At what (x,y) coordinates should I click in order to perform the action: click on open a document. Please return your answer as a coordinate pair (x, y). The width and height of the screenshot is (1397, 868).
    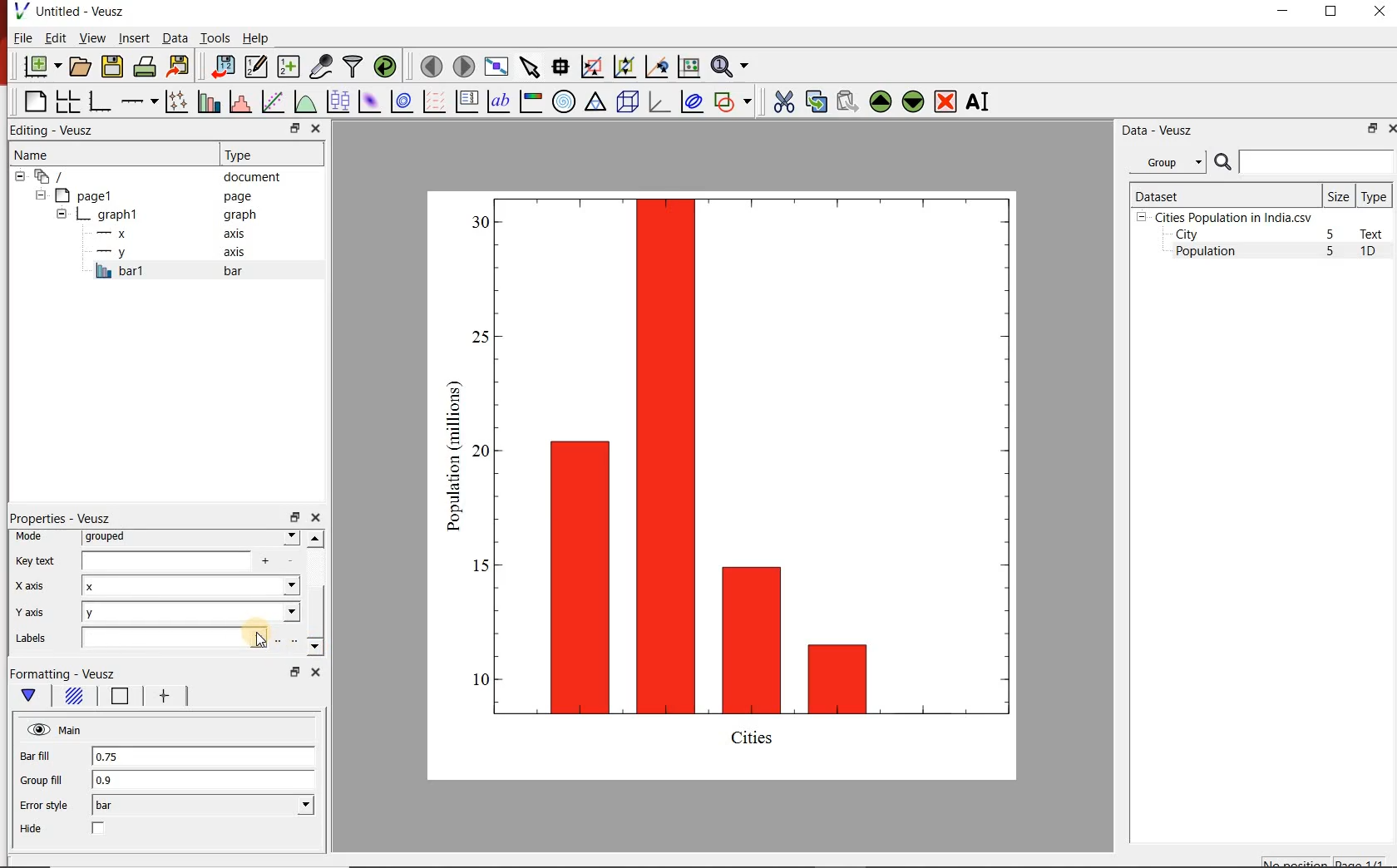
    Looking at the image, I should click on (79, 67).